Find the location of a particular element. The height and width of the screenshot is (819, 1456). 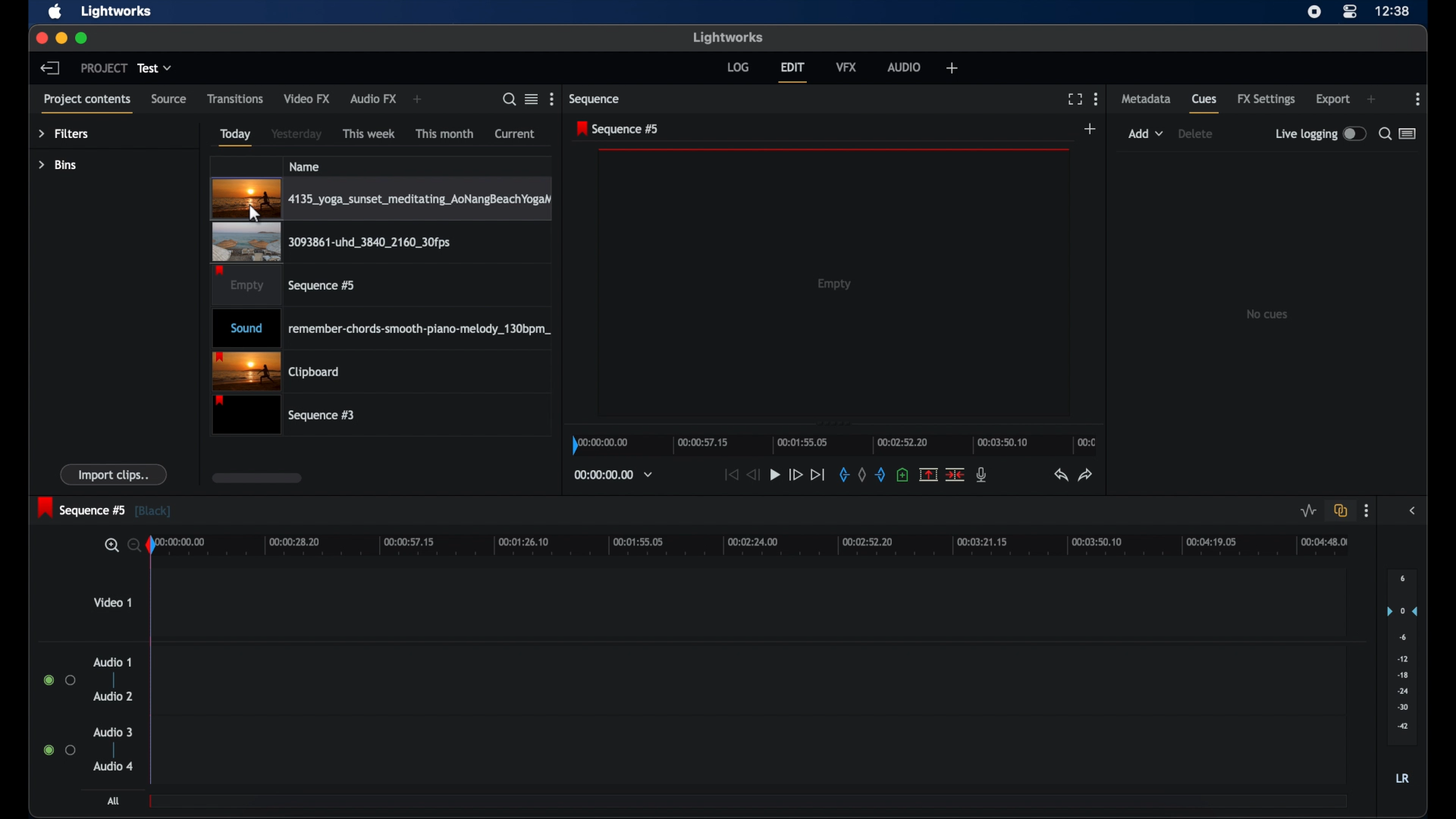

current is located at coordinates (515, 134).